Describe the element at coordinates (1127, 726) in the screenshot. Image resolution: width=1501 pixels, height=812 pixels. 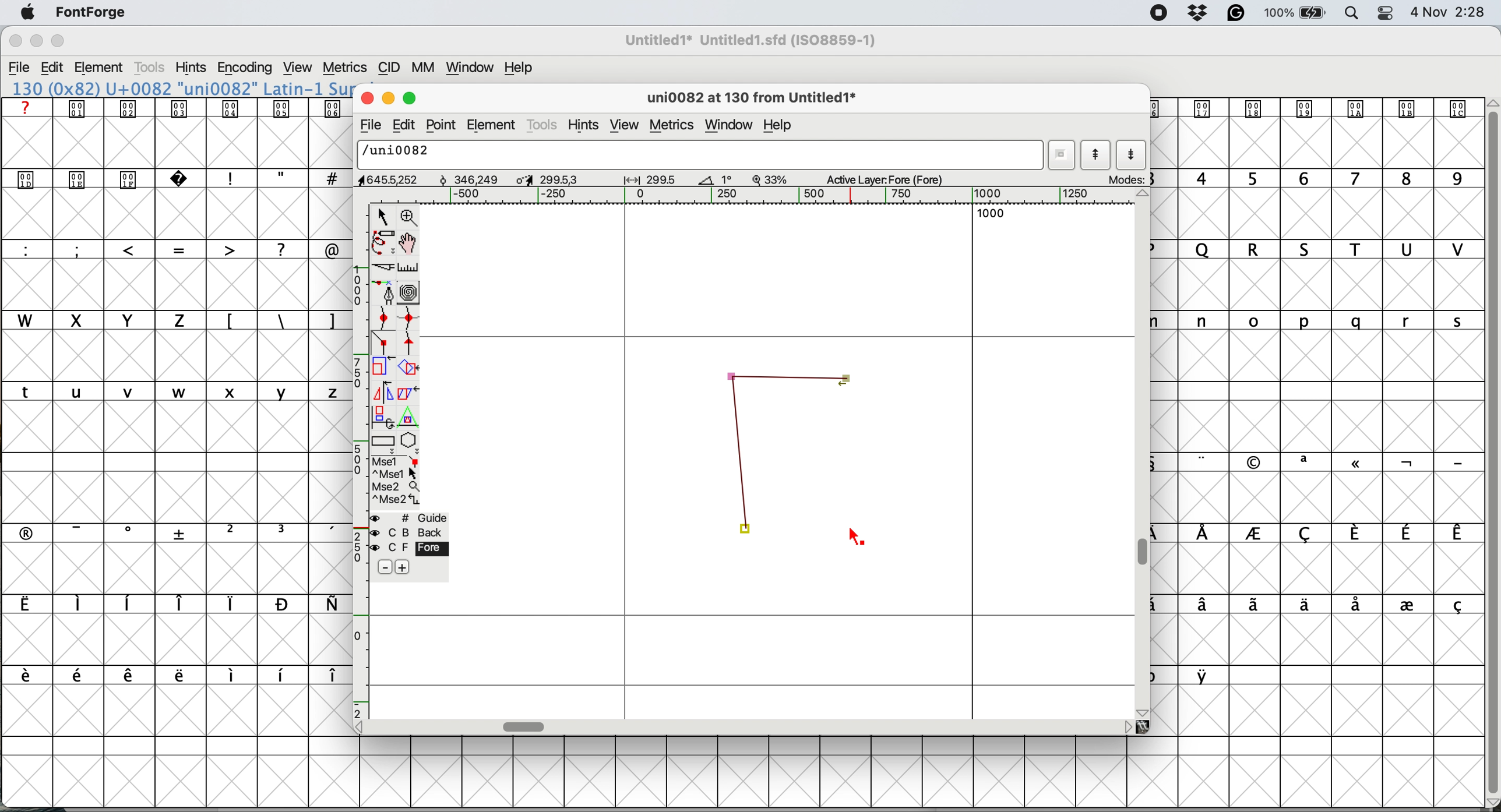
I see `scroll button` at that location.